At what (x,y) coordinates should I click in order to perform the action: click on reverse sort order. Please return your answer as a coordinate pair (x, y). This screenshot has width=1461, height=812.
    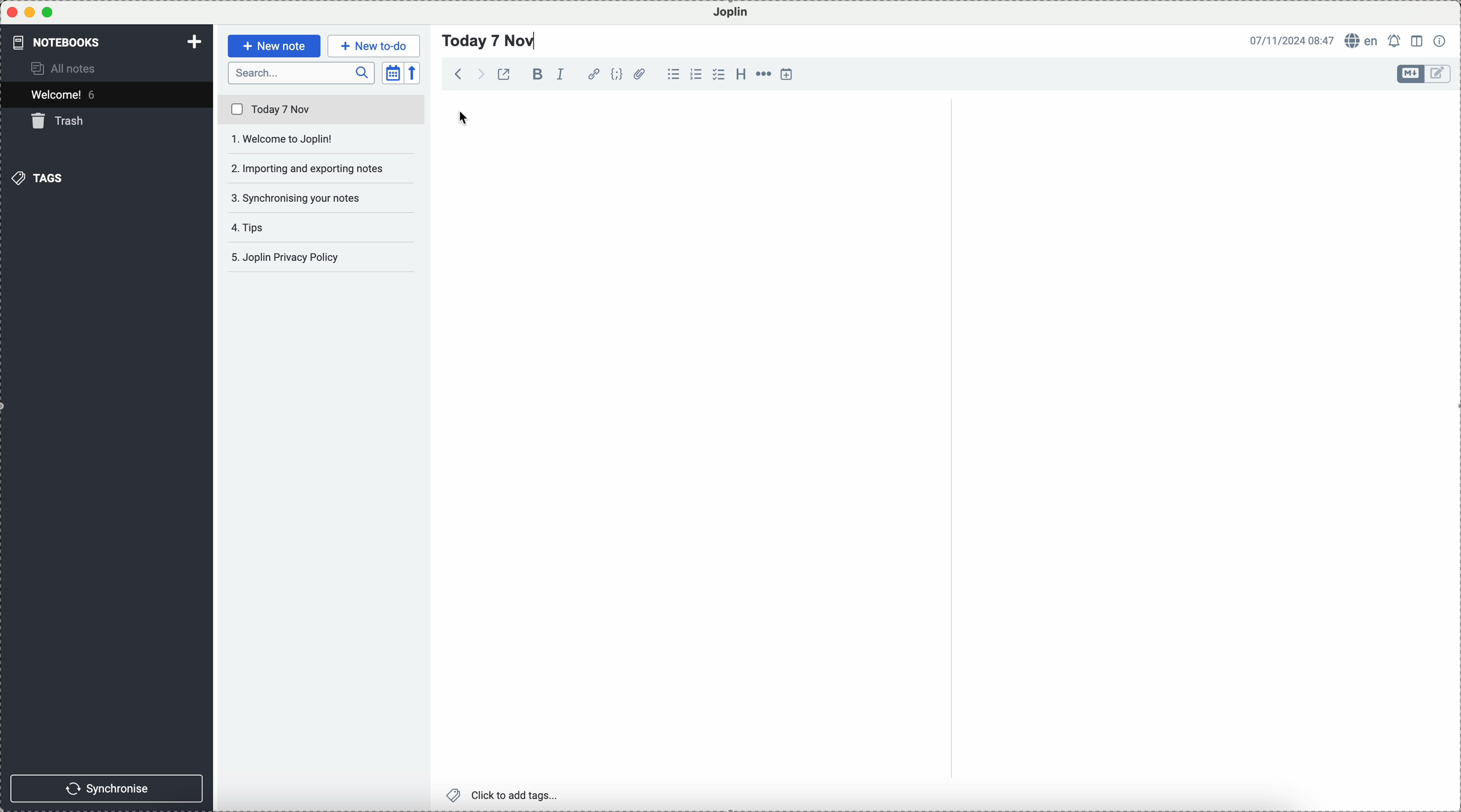
    Looking at the image, I should click on (413, 73).